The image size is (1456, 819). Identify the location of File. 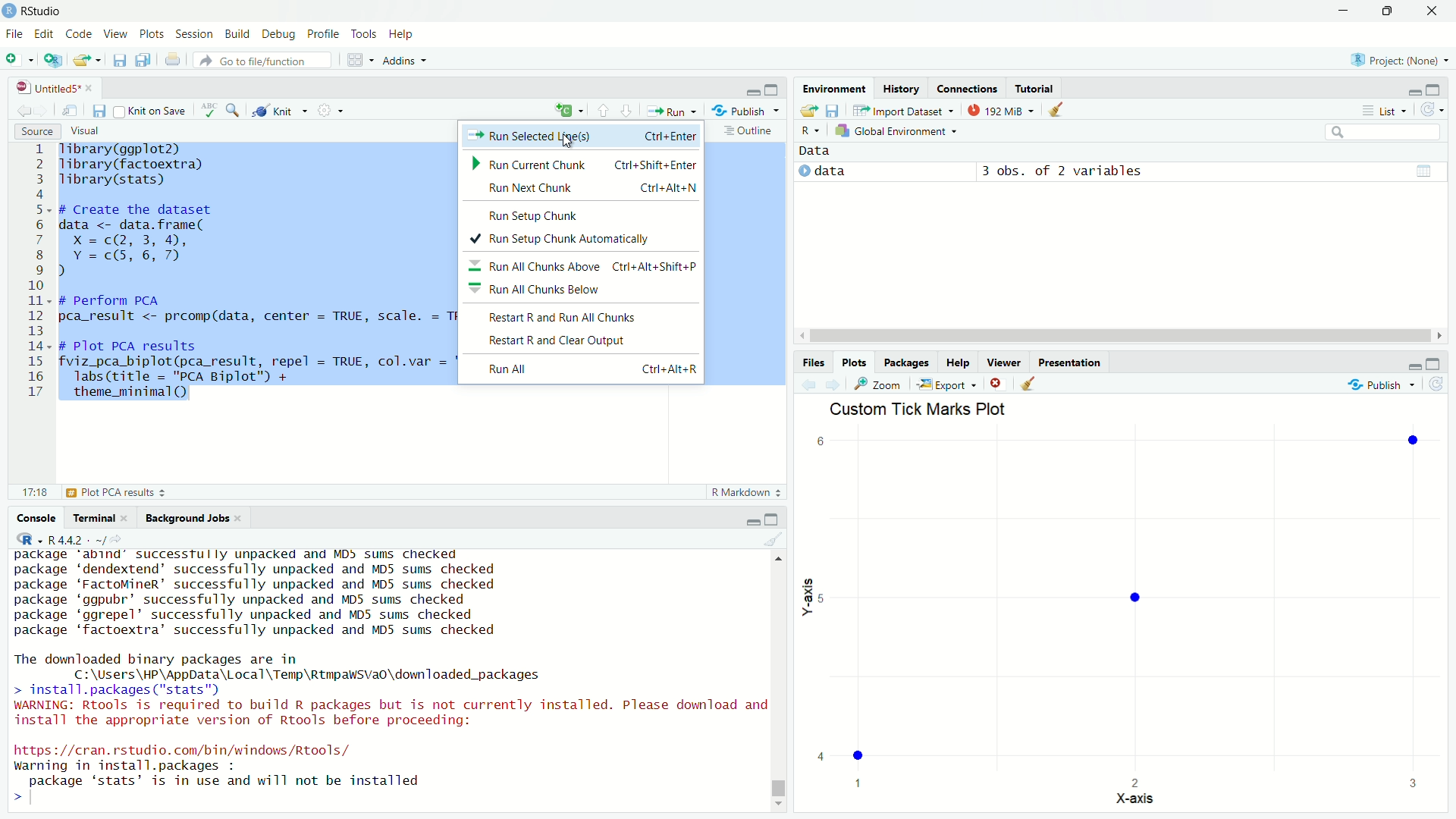
(15, 35).